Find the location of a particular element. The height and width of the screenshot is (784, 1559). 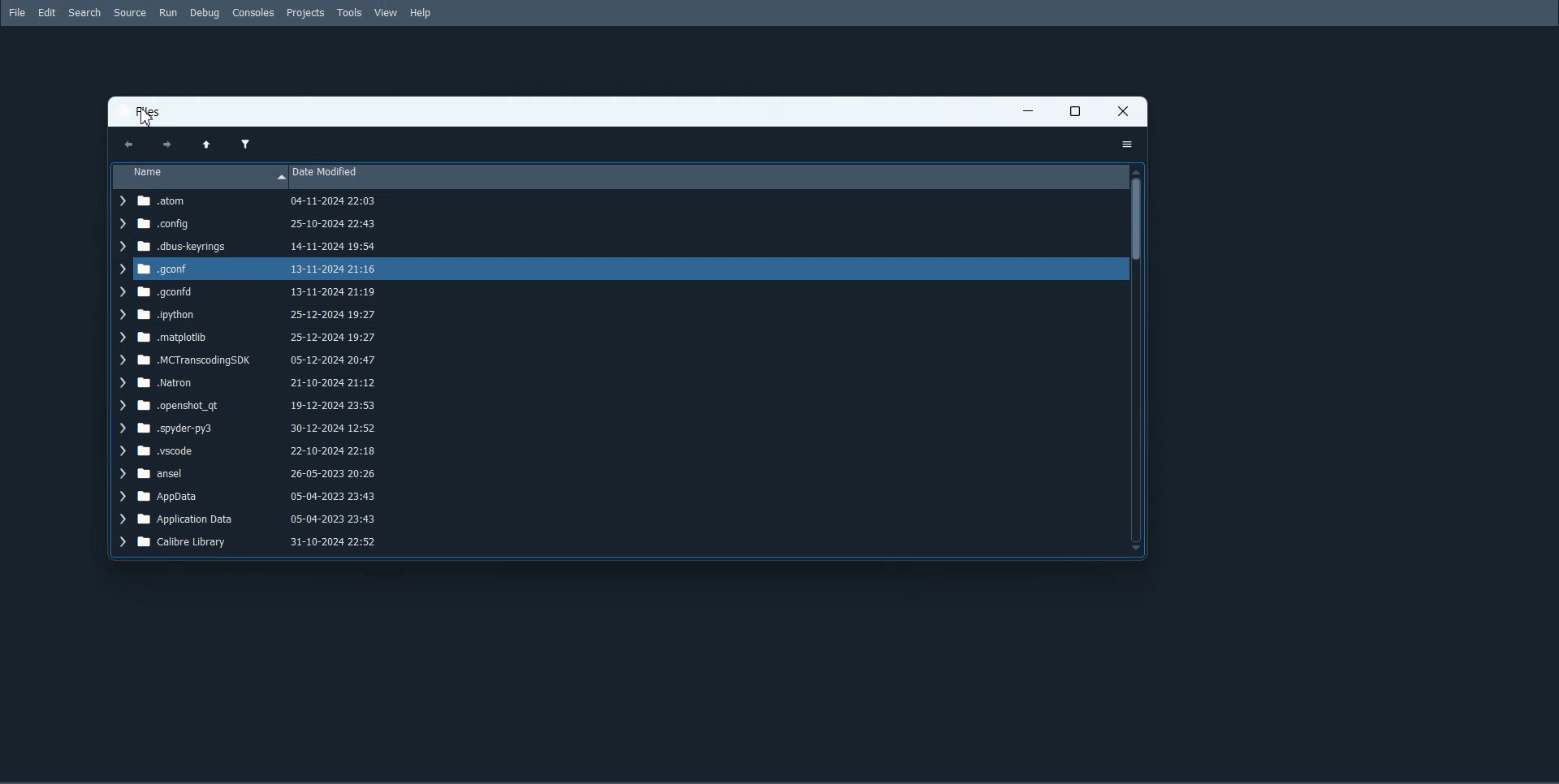

Source is located at coordinates (130, 13).